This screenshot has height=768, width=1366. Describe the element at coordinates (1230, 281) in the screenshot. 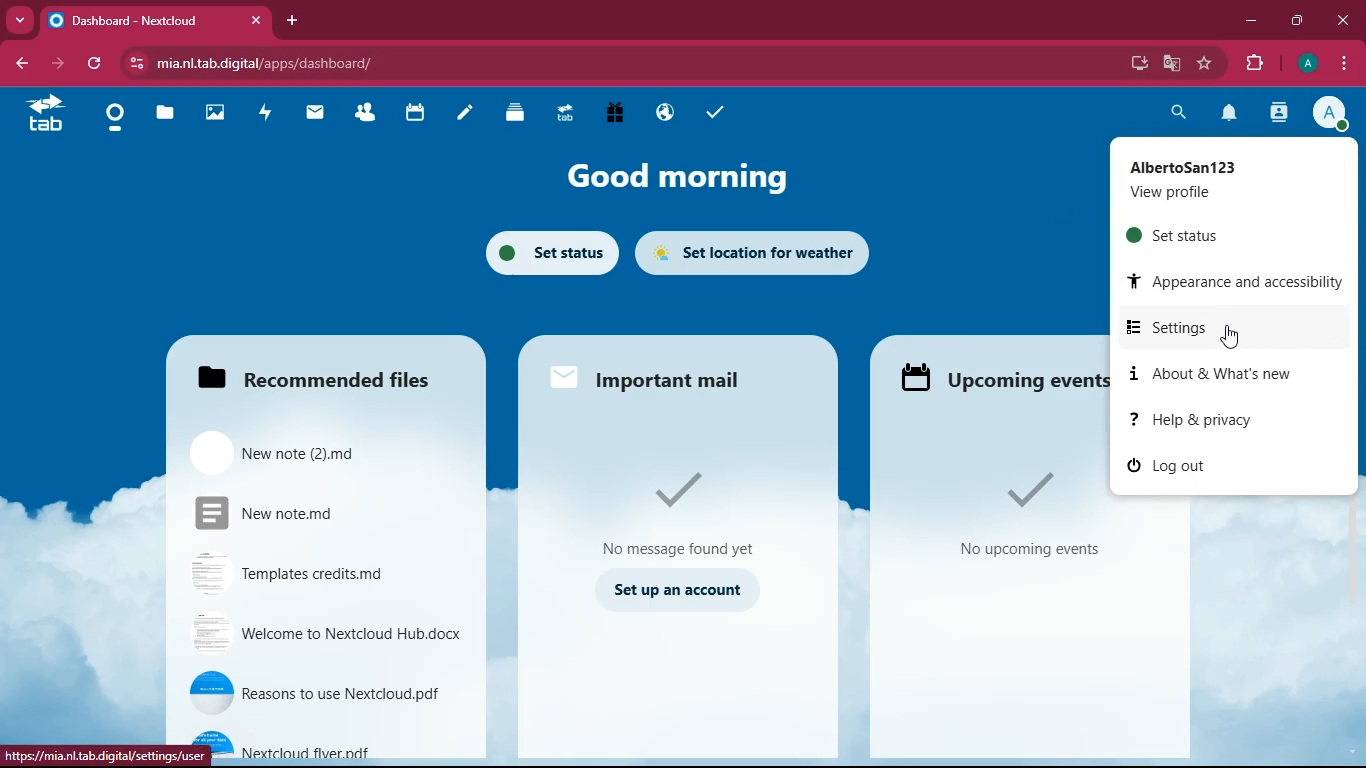

I see `appearance and accessibility` at that location.